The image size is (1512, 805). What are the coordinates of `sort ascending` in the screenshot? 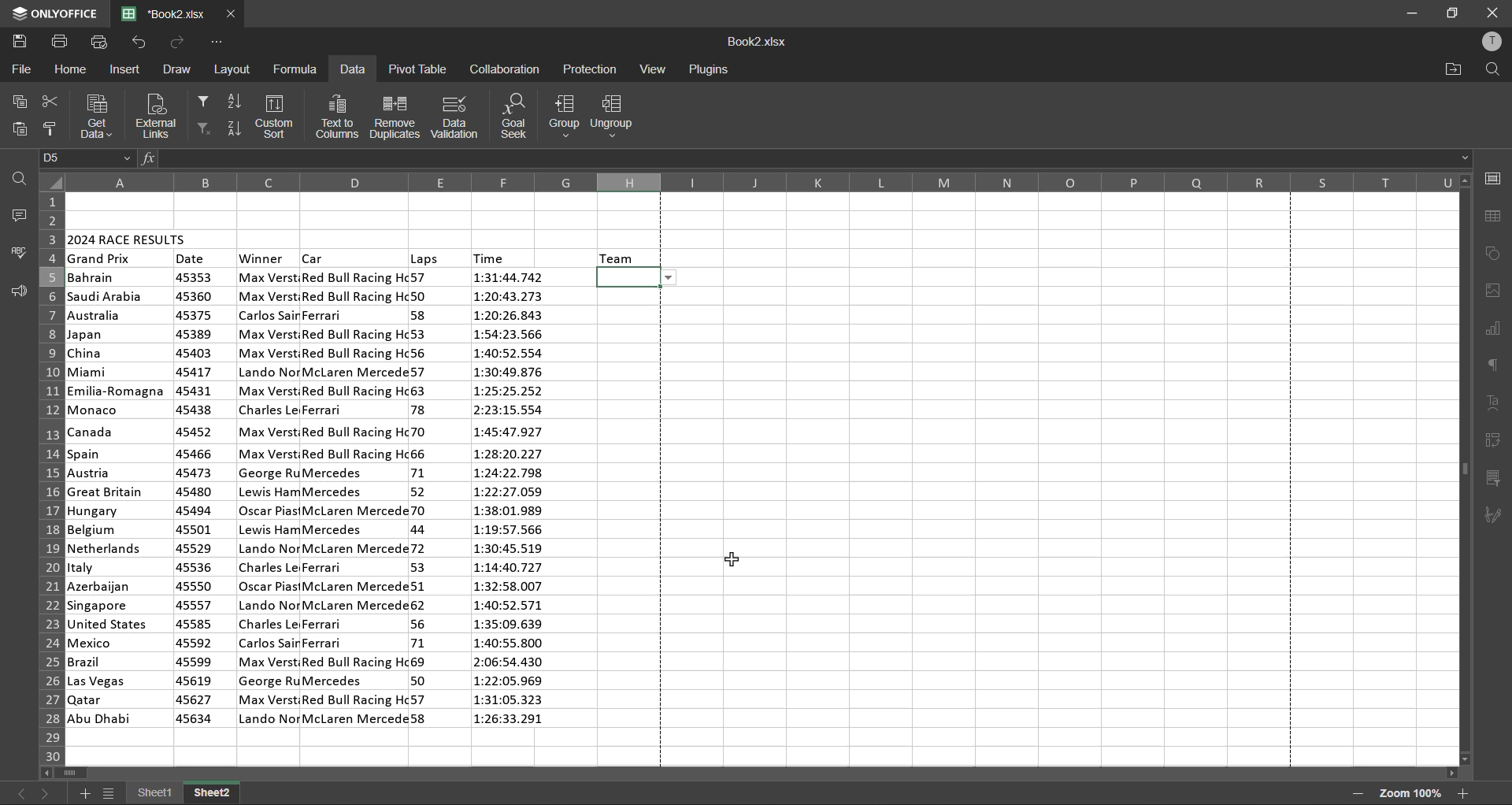 It's located at (235, 103).